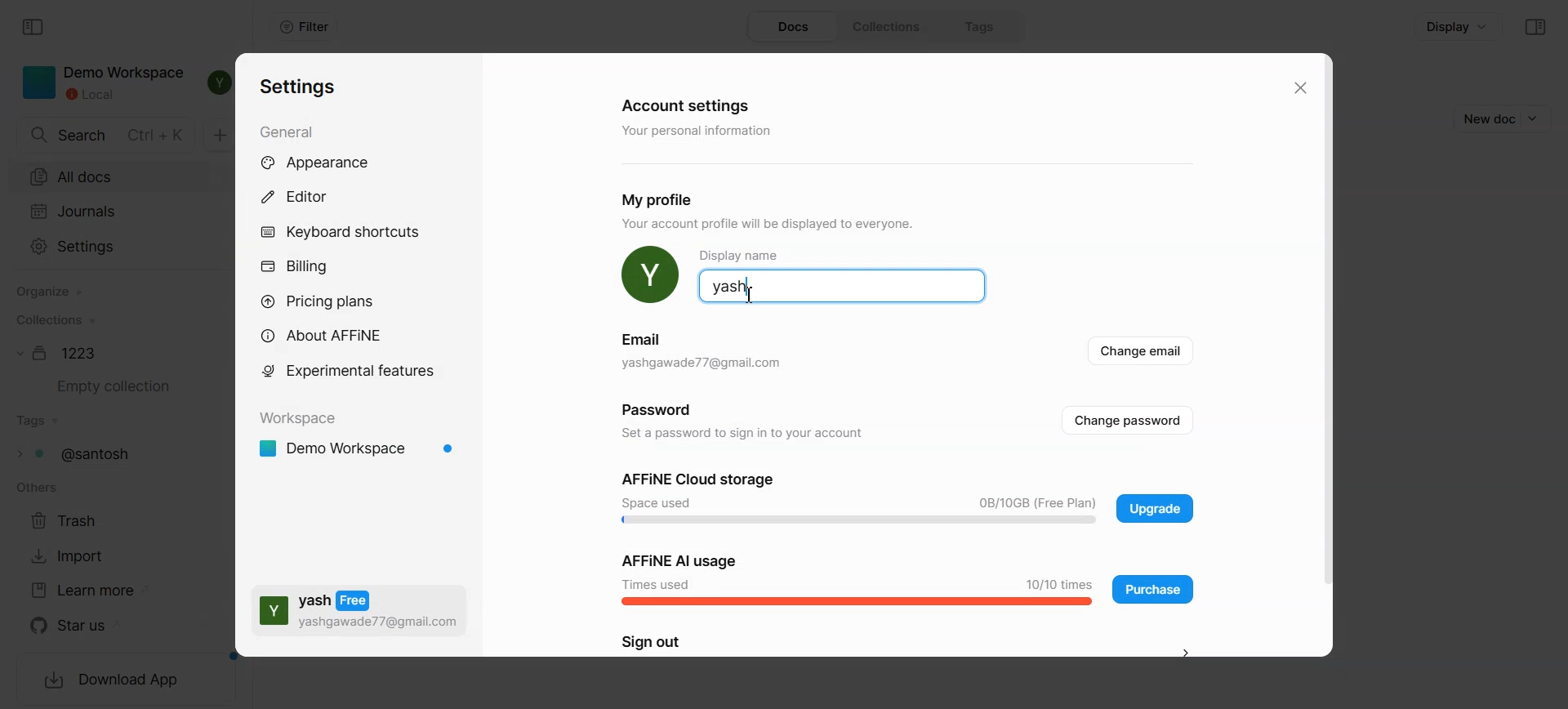  What do you see at coordinates (113, 681) in the screenshot?
I see `Download App` at bounding box center [113, 681].